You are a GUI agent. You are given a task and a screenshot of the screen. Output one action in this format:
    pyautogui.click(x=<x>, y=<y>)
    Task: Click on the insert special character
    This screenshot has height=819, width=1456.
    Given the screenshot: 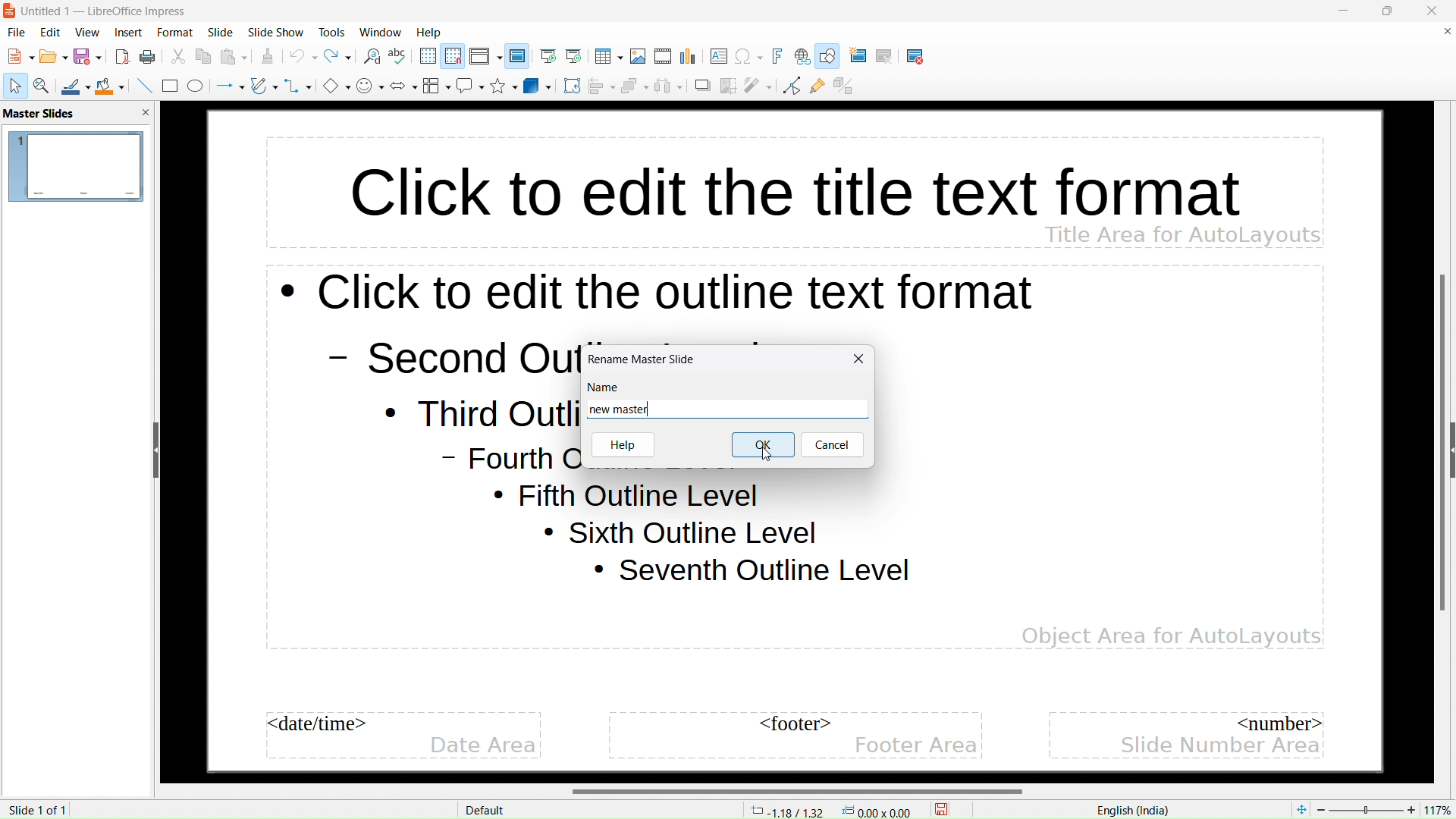 What is the action you would take?
    pyautogui.click(x=748, y=56)
    